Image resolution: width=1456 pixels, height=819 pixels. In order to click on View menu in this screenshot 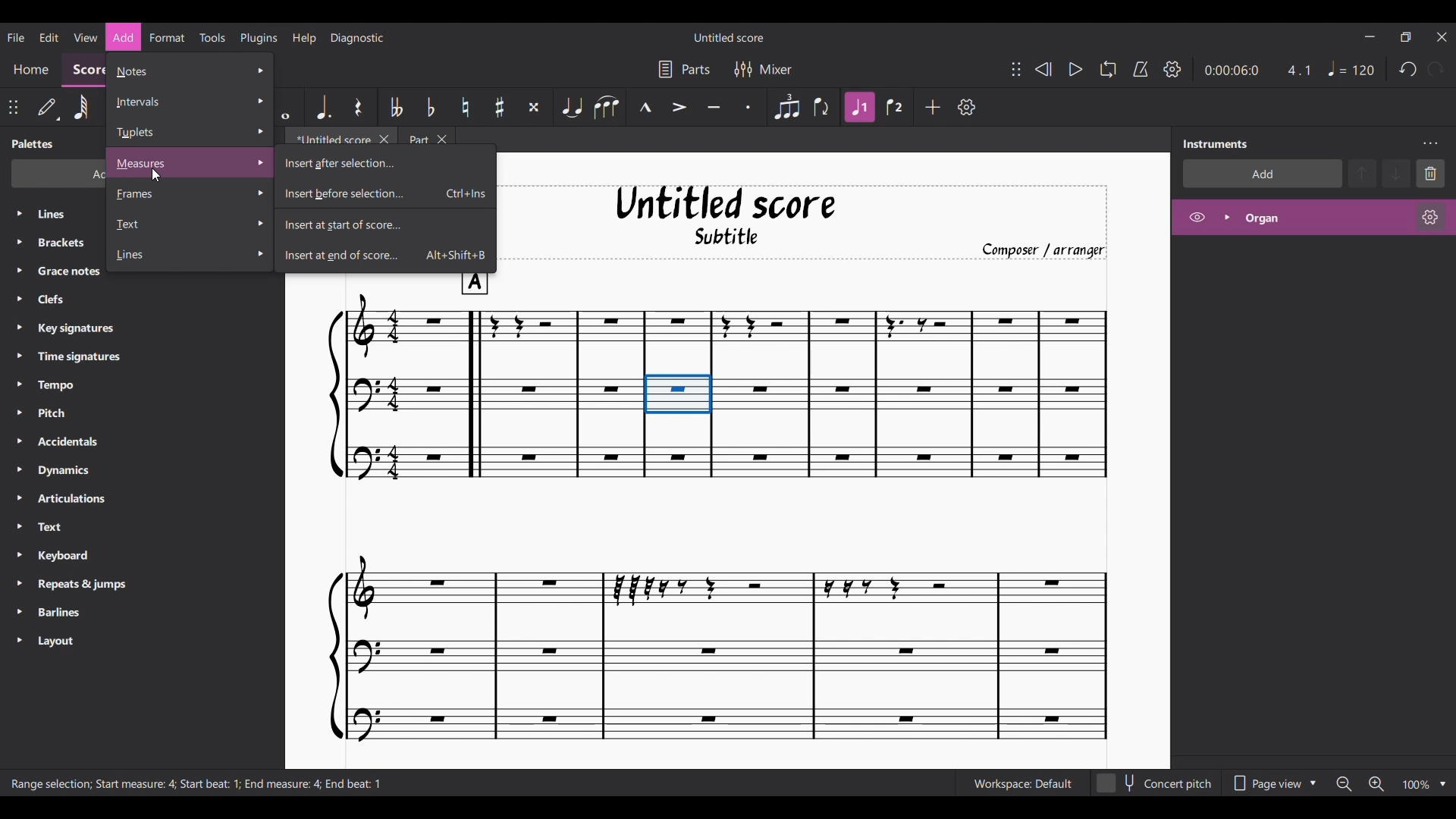, I will do `click(86, 37)`.